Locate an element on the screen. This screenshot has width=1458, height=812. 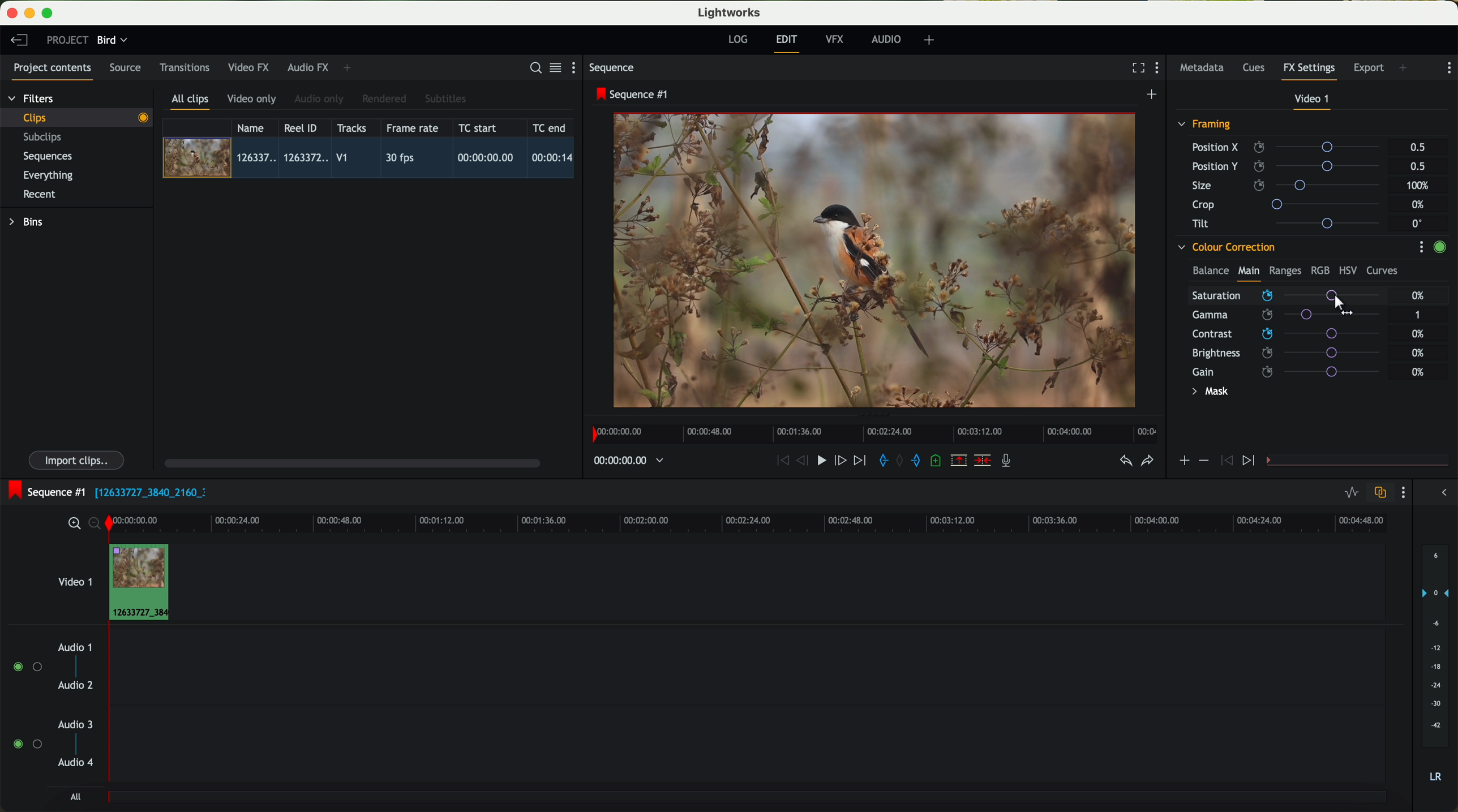
leave is located at coordinates (19, 41).